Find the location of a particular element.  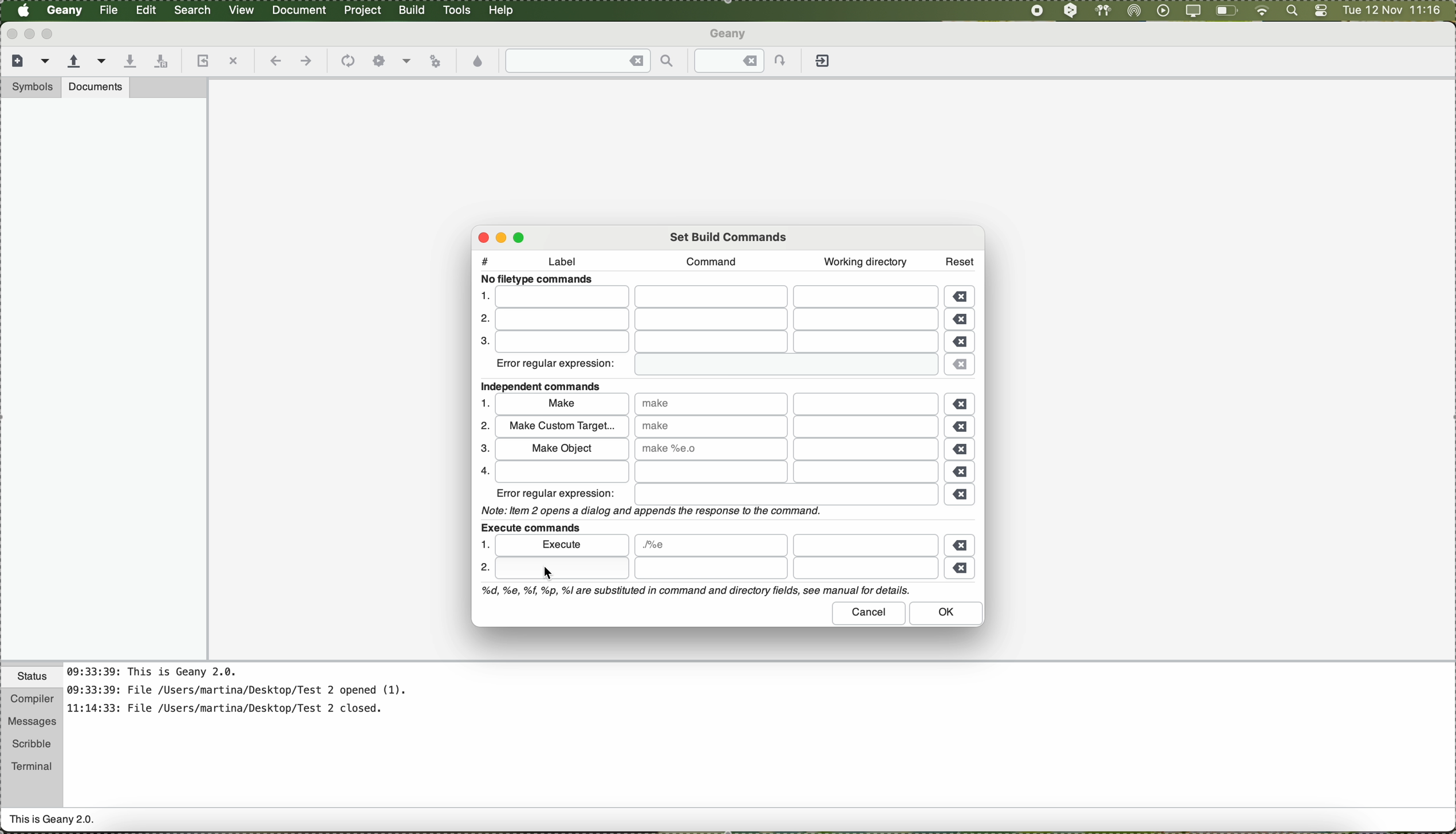

battery is located at coordinates (1227, 13).